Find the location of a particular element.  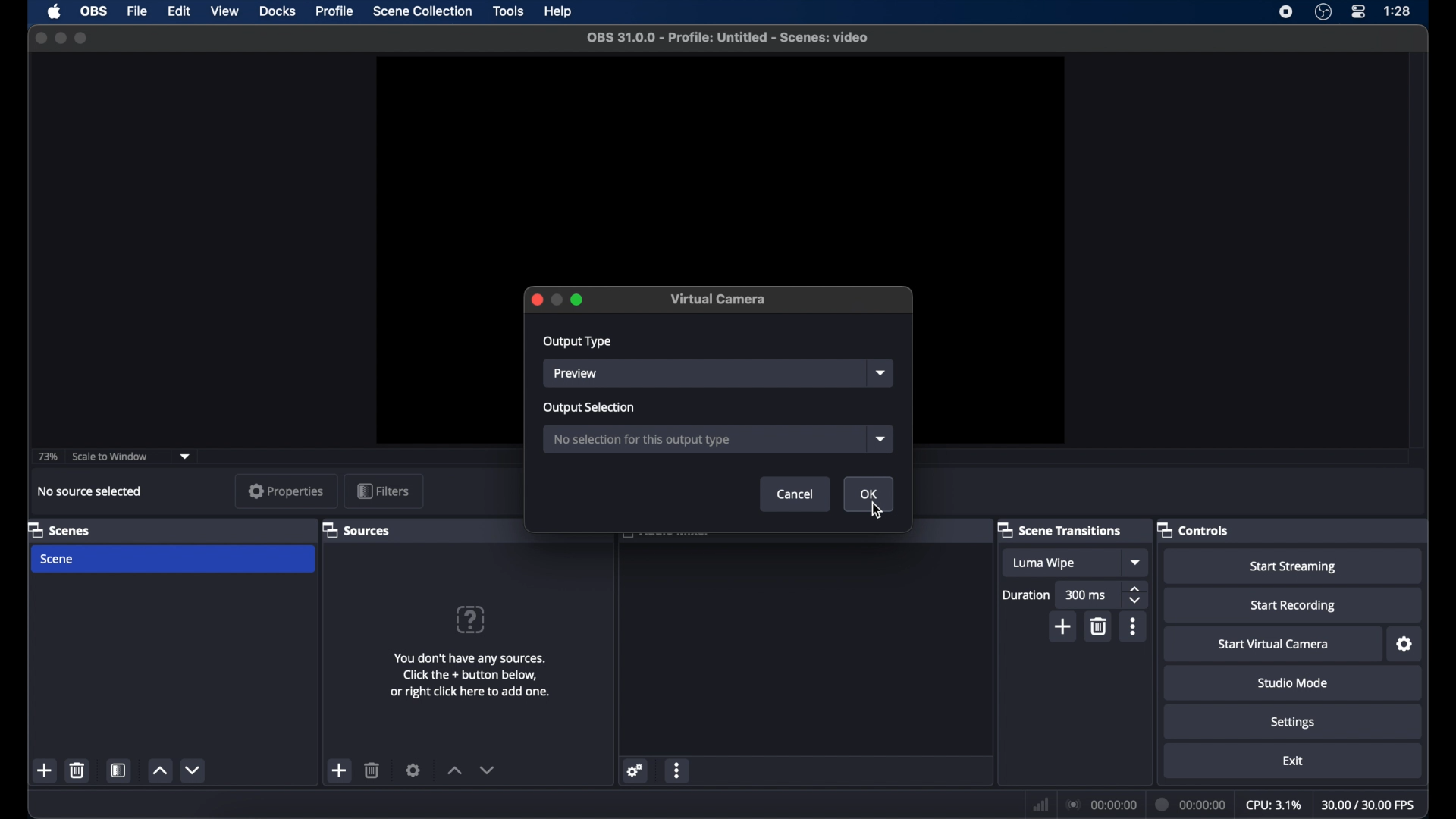

view is located at coordinates (224, 12).